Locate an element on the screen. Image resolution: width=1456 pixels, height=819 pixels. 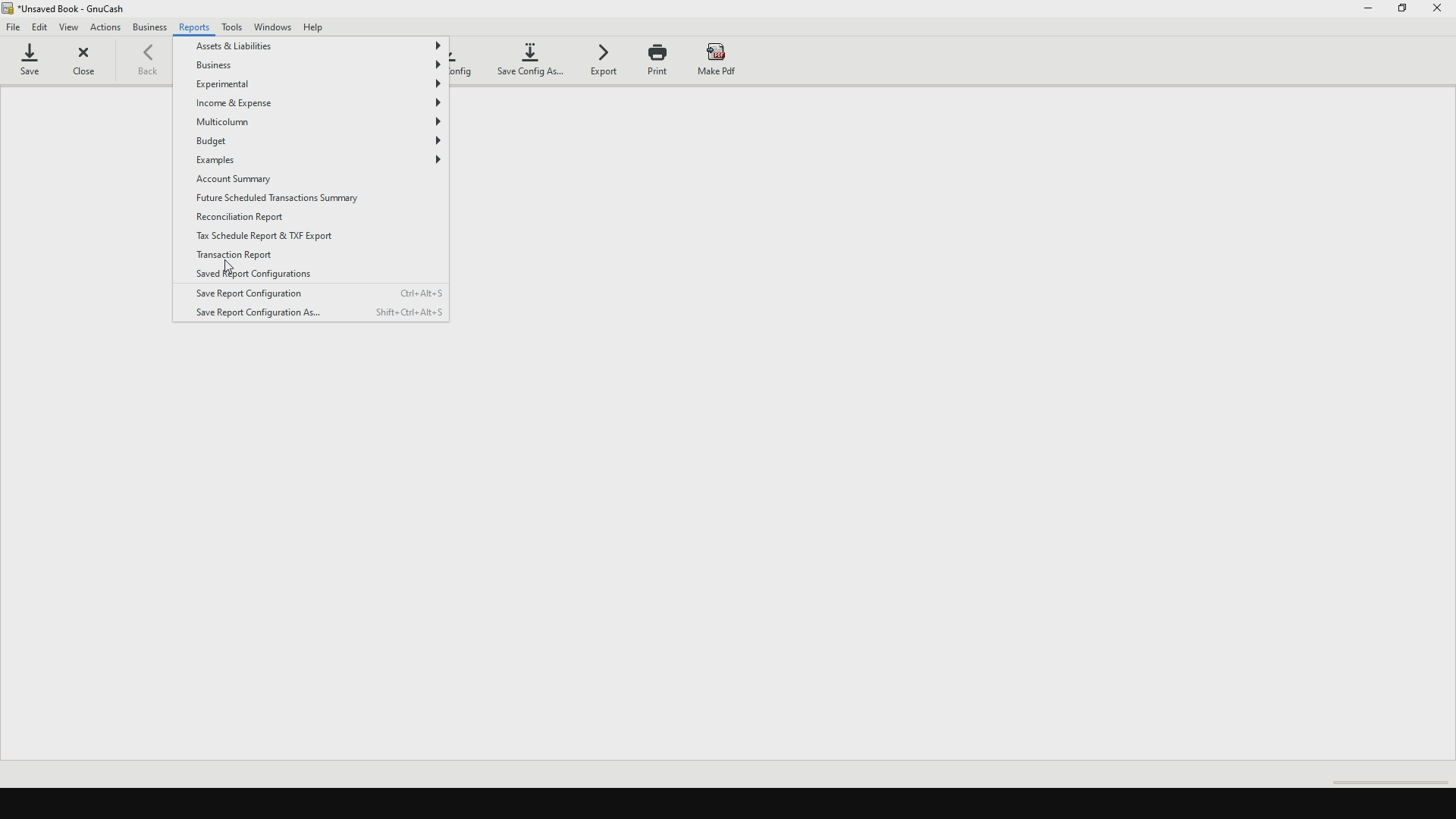
make pdf is located at coordinates (717, 57).